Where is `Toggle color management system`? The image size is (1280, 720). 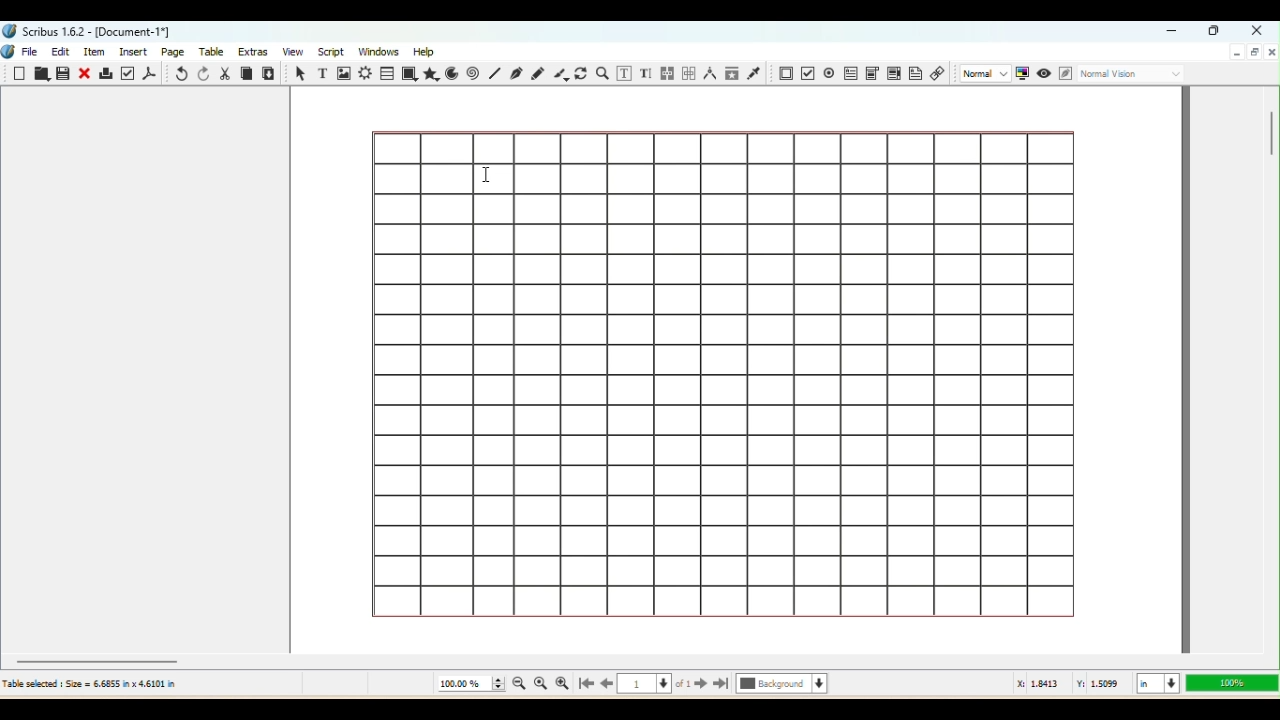 Toggle color management system is located at coordinates (1022, 74).